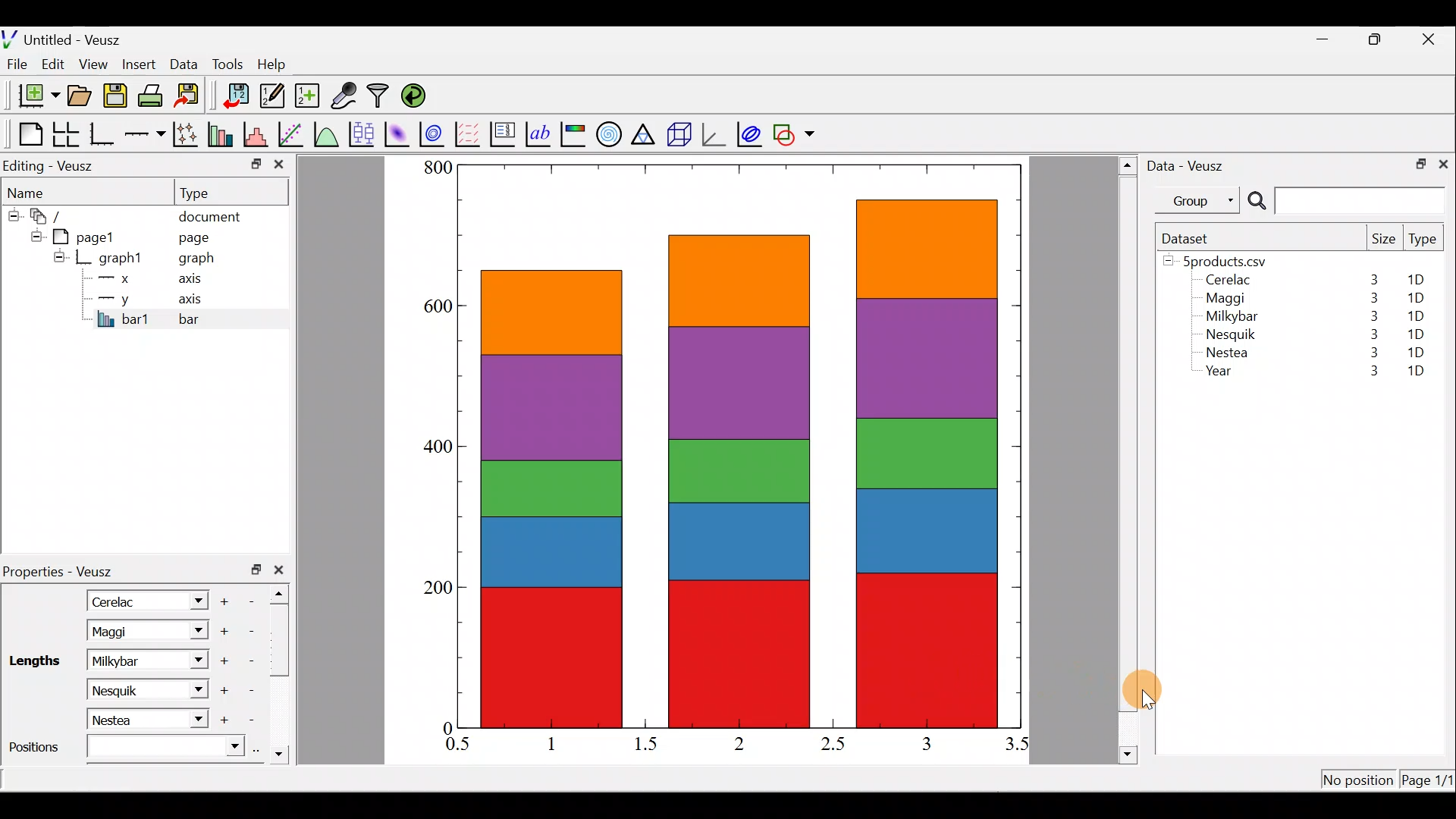  I want to click on 3d scene, so click(678, 134).